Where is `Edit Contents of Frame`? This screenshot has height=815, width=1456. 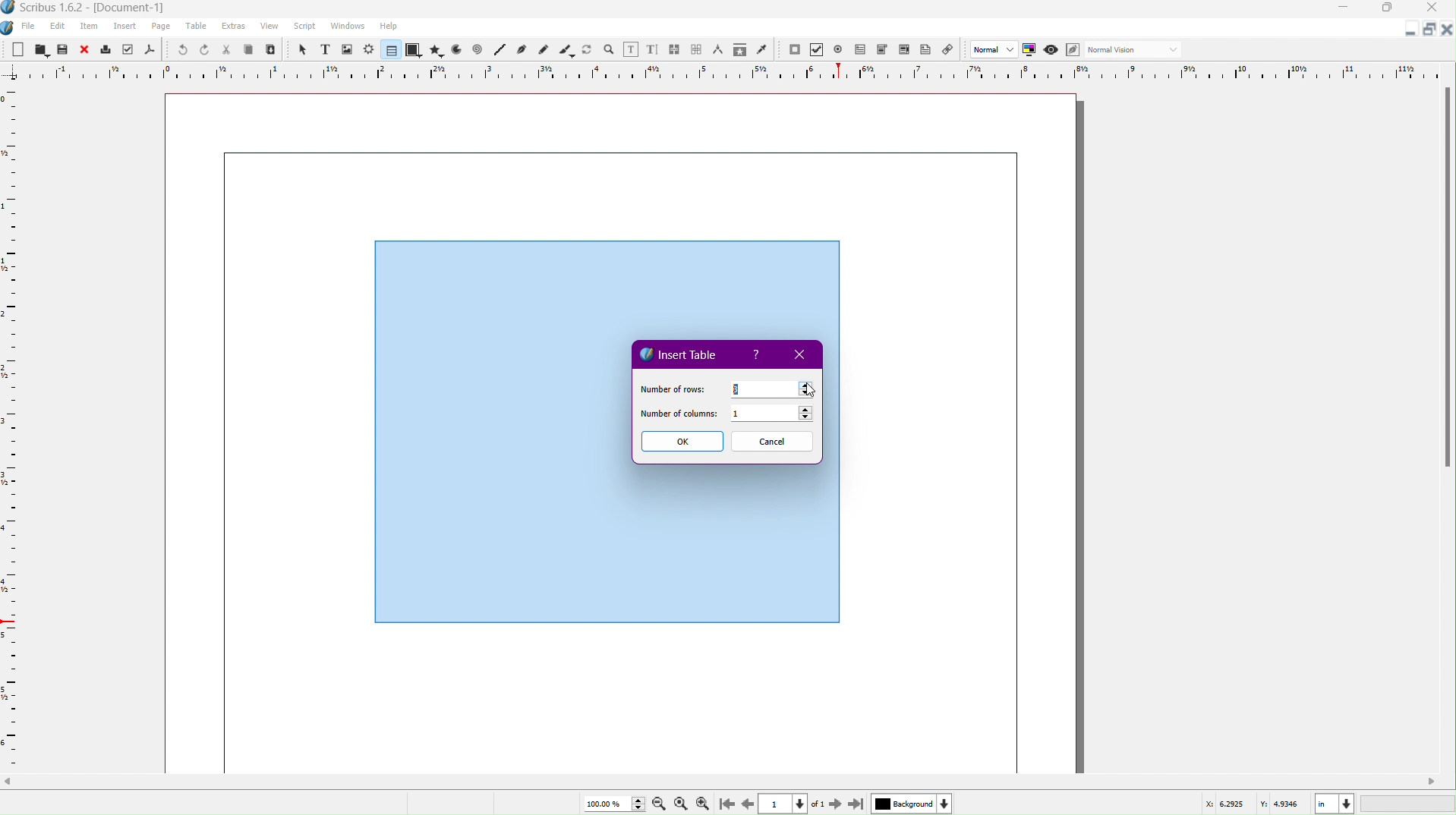
Edit Contents of Frame is located at coordinates (632, 49).